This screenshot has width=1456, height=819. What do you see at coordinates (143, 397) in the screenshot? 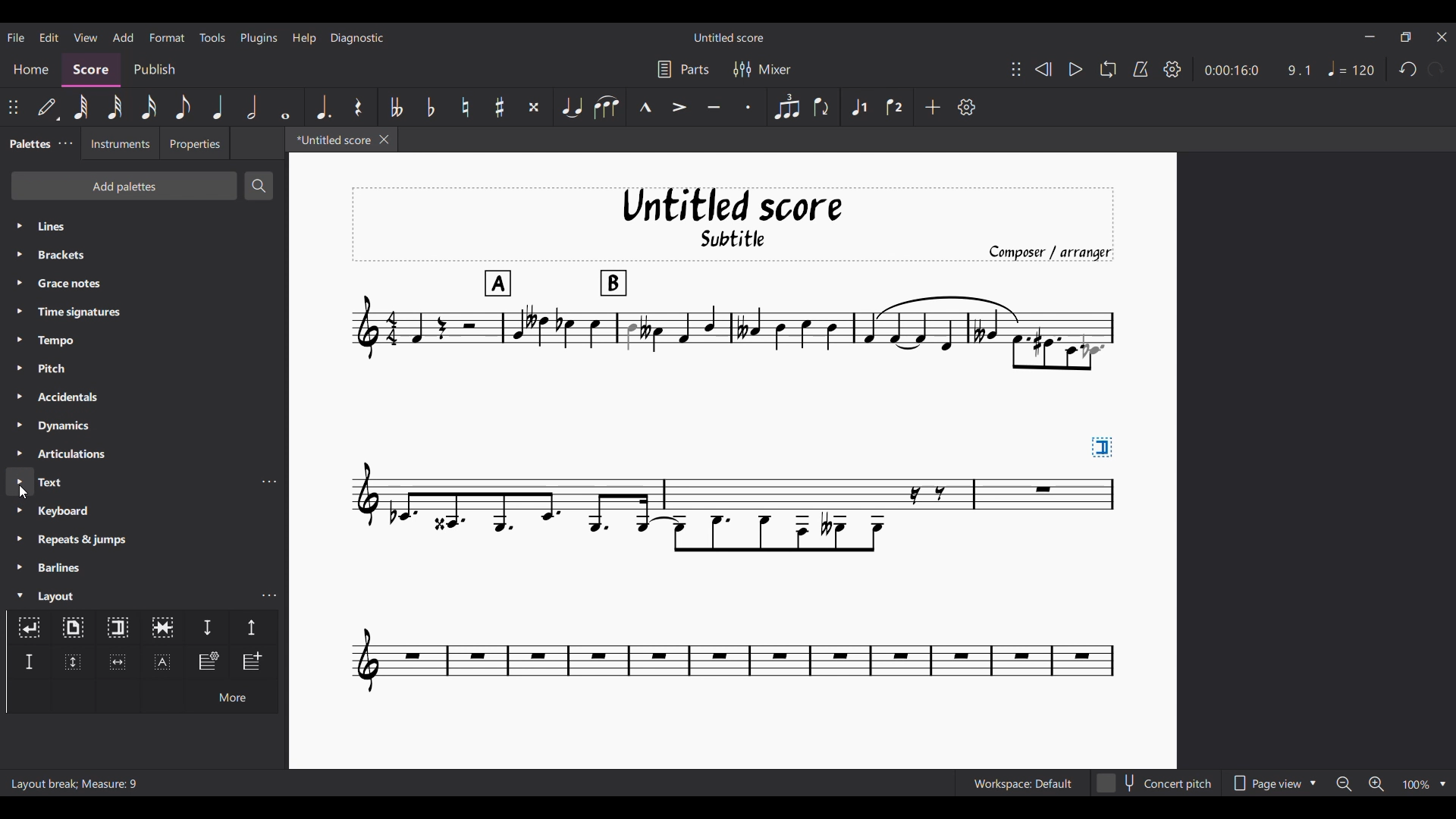
I see `Accidentals` at bounding box center [143, 397].